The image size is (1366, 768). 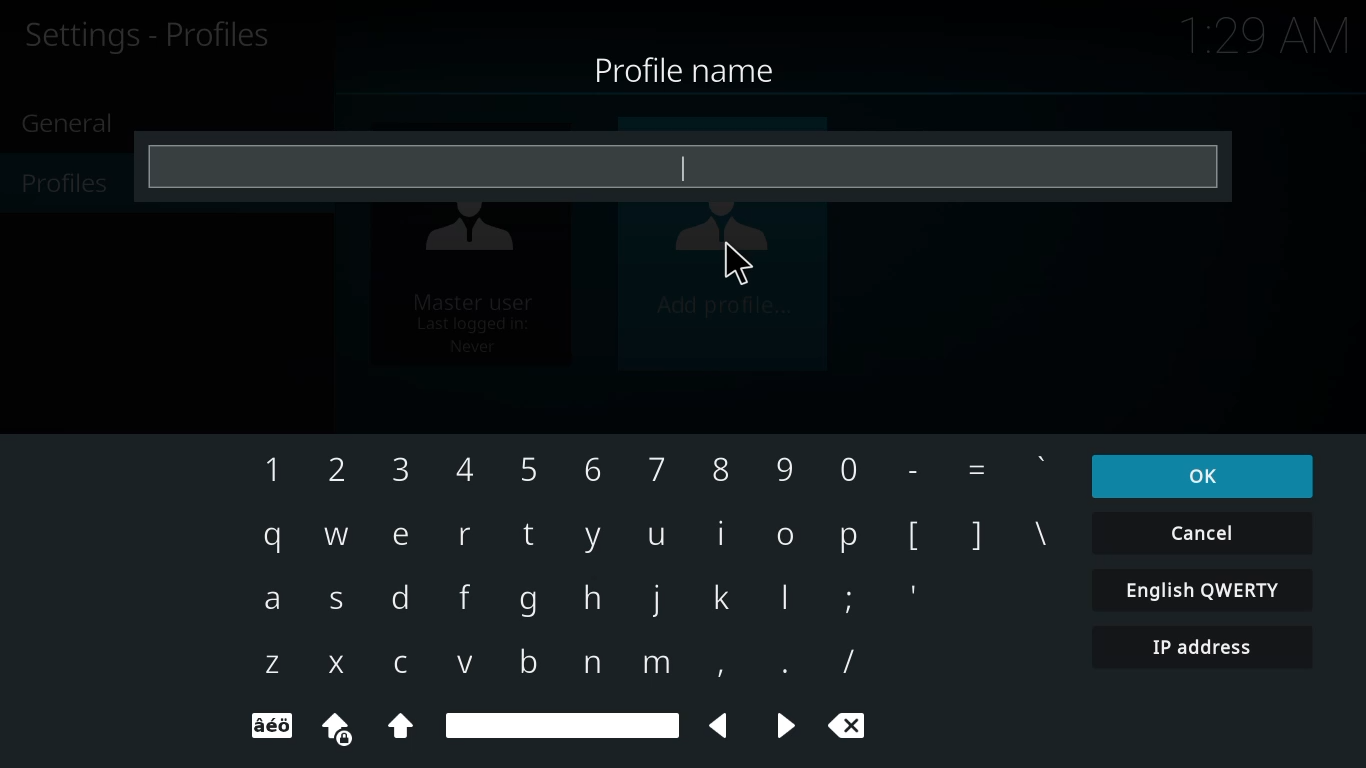 What do you see at coordinates (718, 599) in the screenshot?
I see `k` at bounding box center [718, 599].